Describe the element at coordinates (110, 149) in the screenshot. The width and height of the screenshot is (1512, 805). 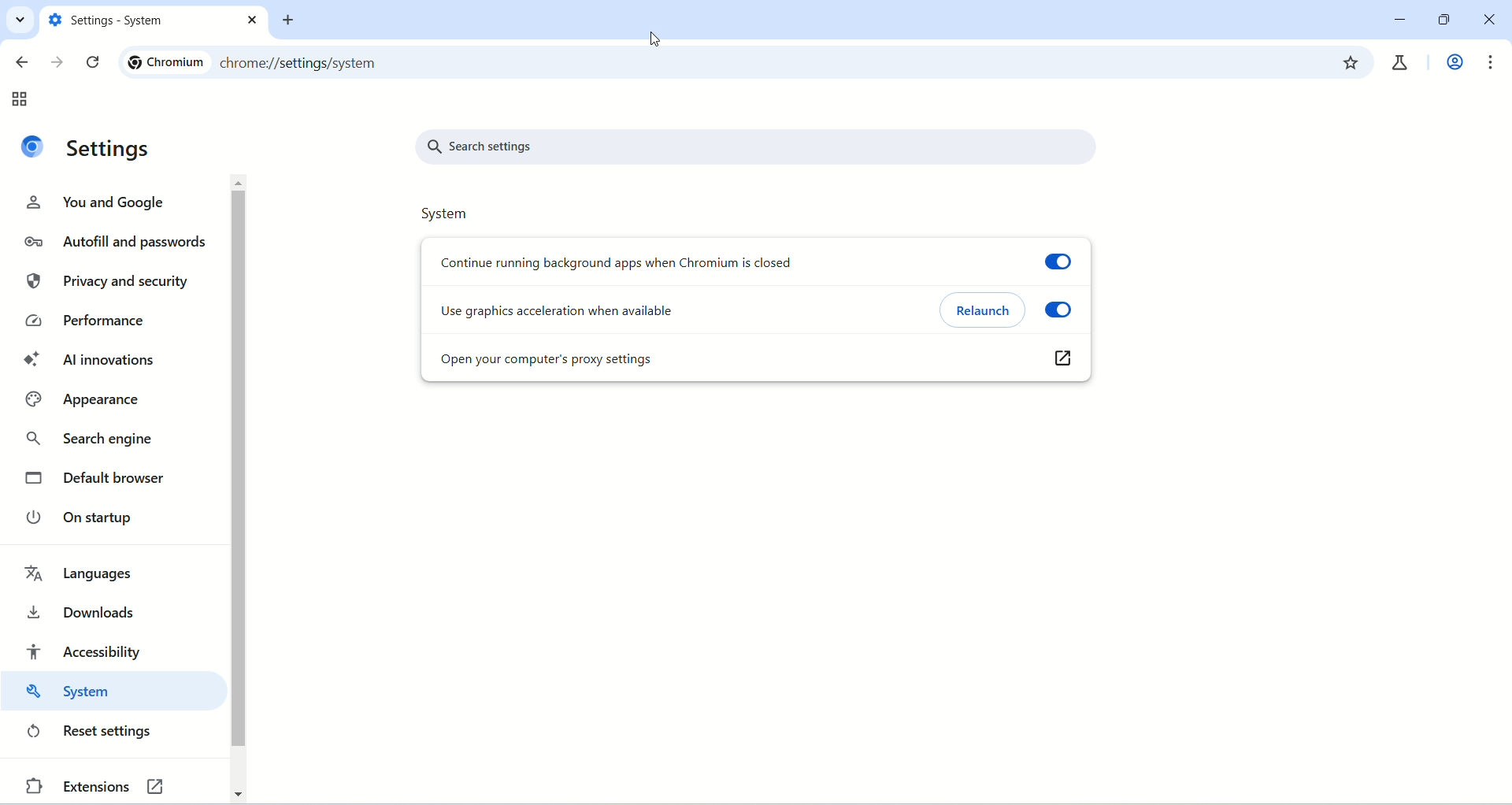
I see `settings` at that location.